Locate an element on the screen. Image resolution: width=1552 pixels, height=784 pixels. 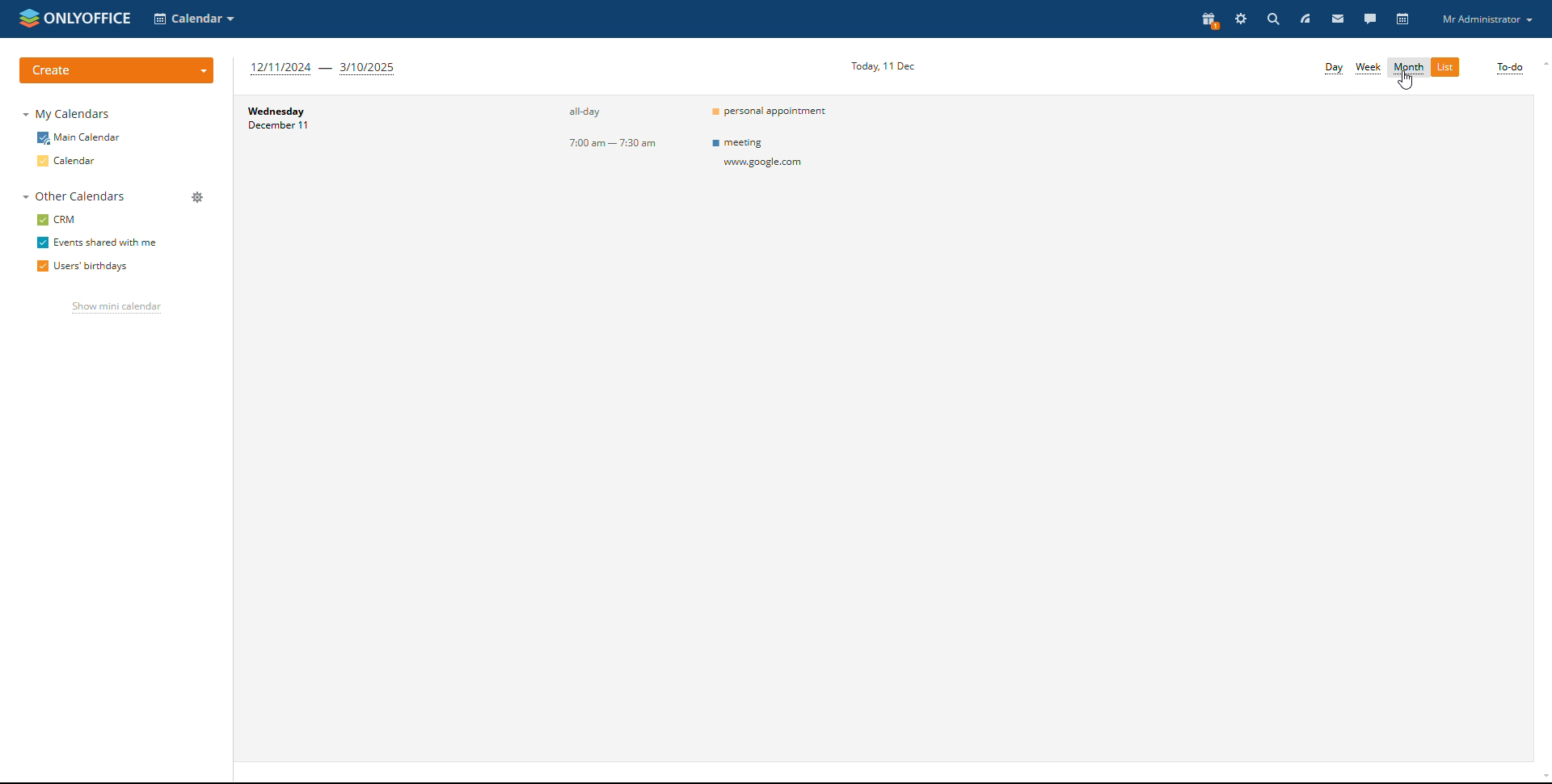
feed is located at coordinates (1305, 18).